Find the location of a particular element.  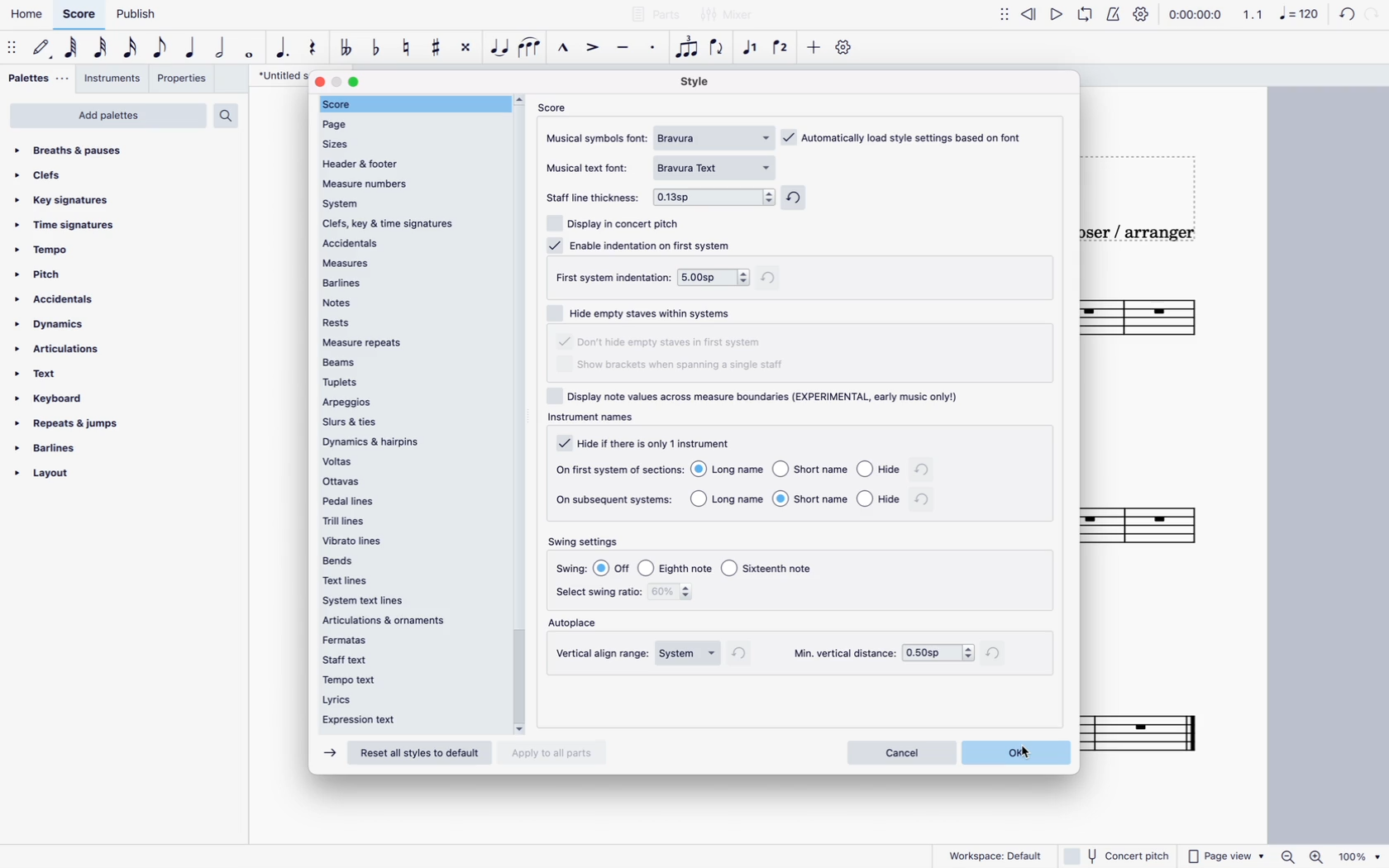

augmentation dot is located at coordinates (283, 51).